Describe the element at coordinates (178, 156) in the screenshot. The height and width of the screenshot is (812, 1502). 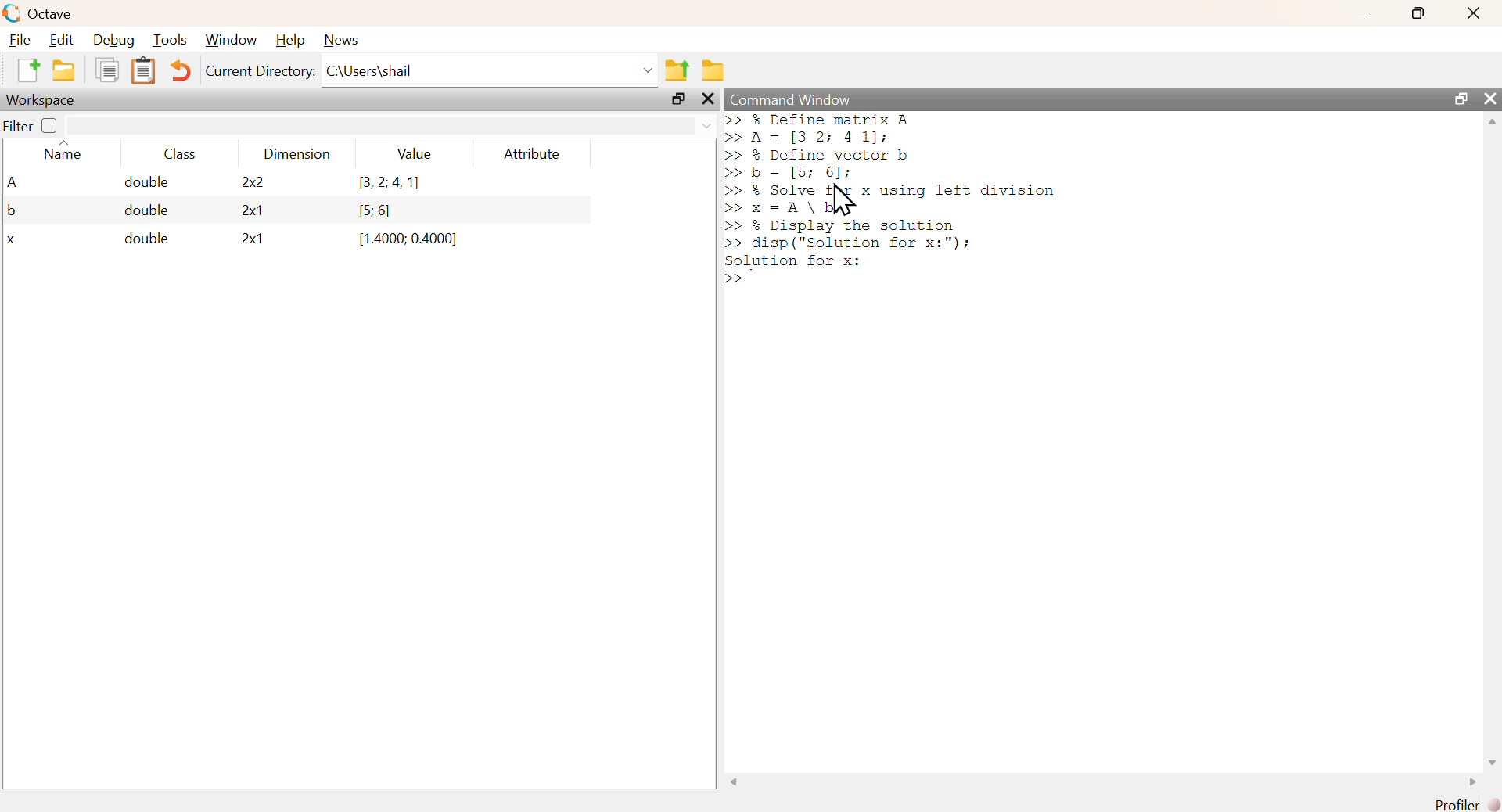
I see `class` at that location.